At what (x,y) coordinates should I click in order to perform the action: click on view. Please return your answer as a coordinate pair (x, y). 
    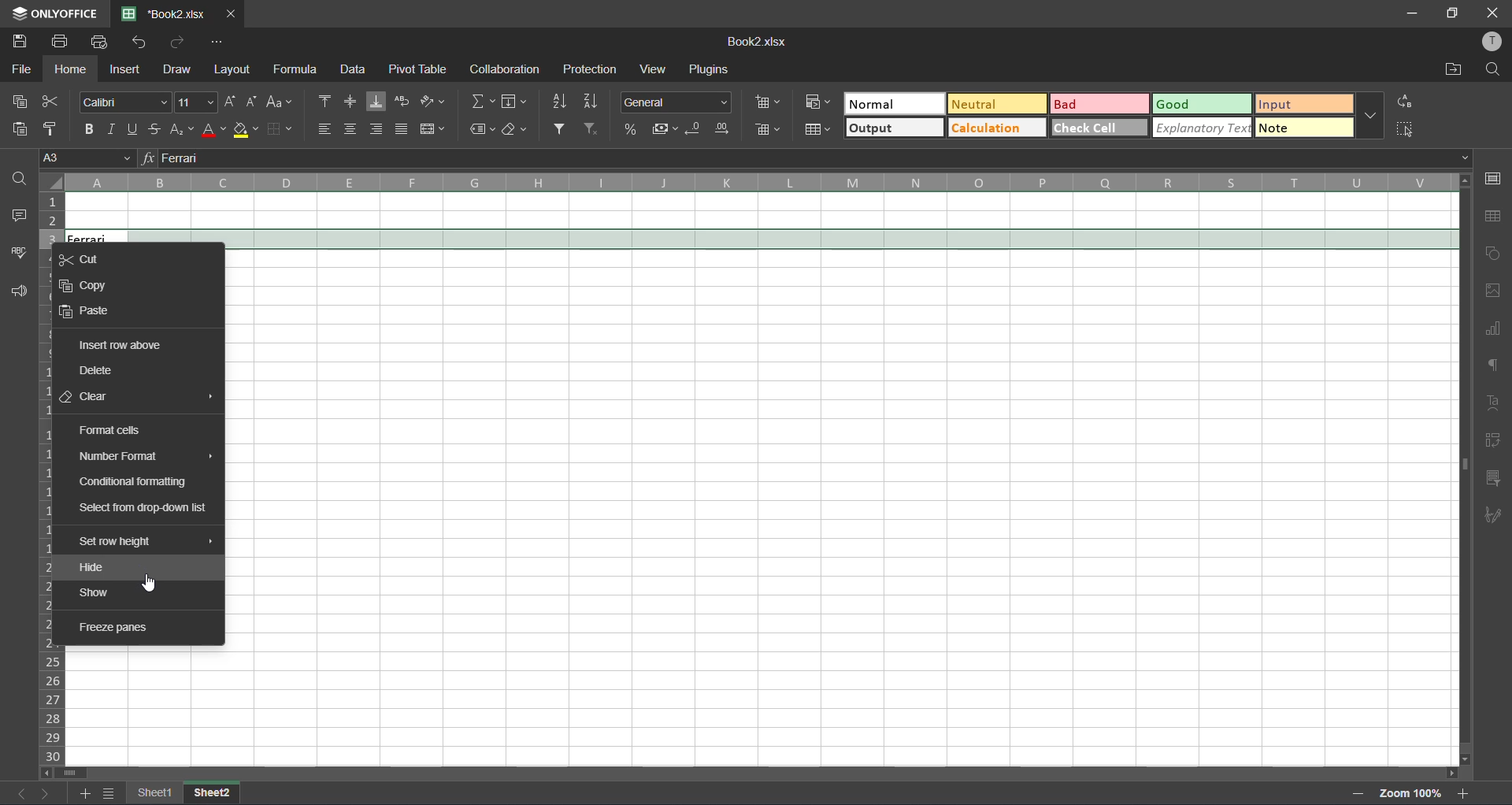
    Looking at the image, I should click on (651, 69).